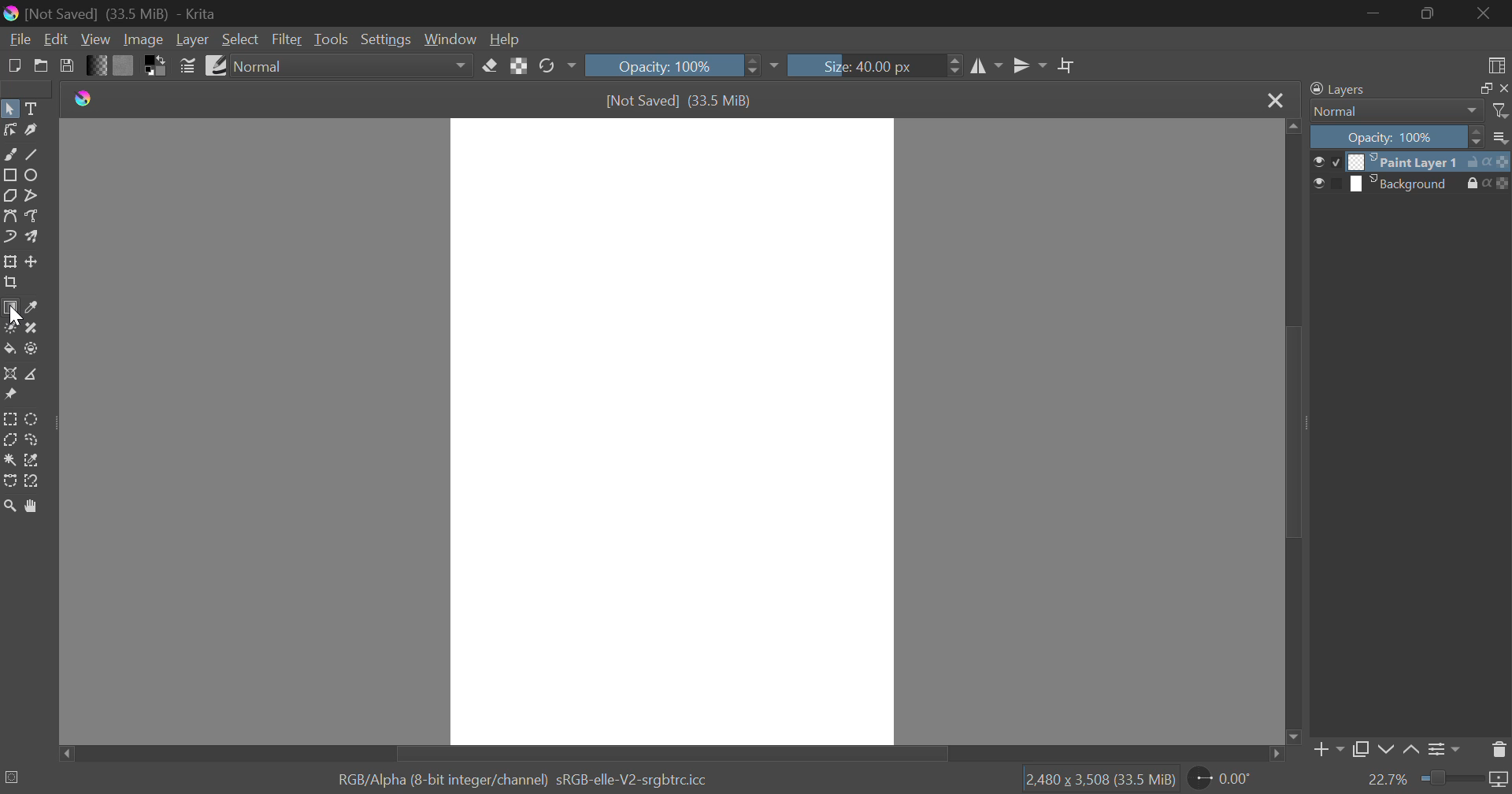 This screenshot has width=1512, height=794. Describe the element at coordinates (32, 329) in the screenshot. I see `Smart Patch Tool` at that location.